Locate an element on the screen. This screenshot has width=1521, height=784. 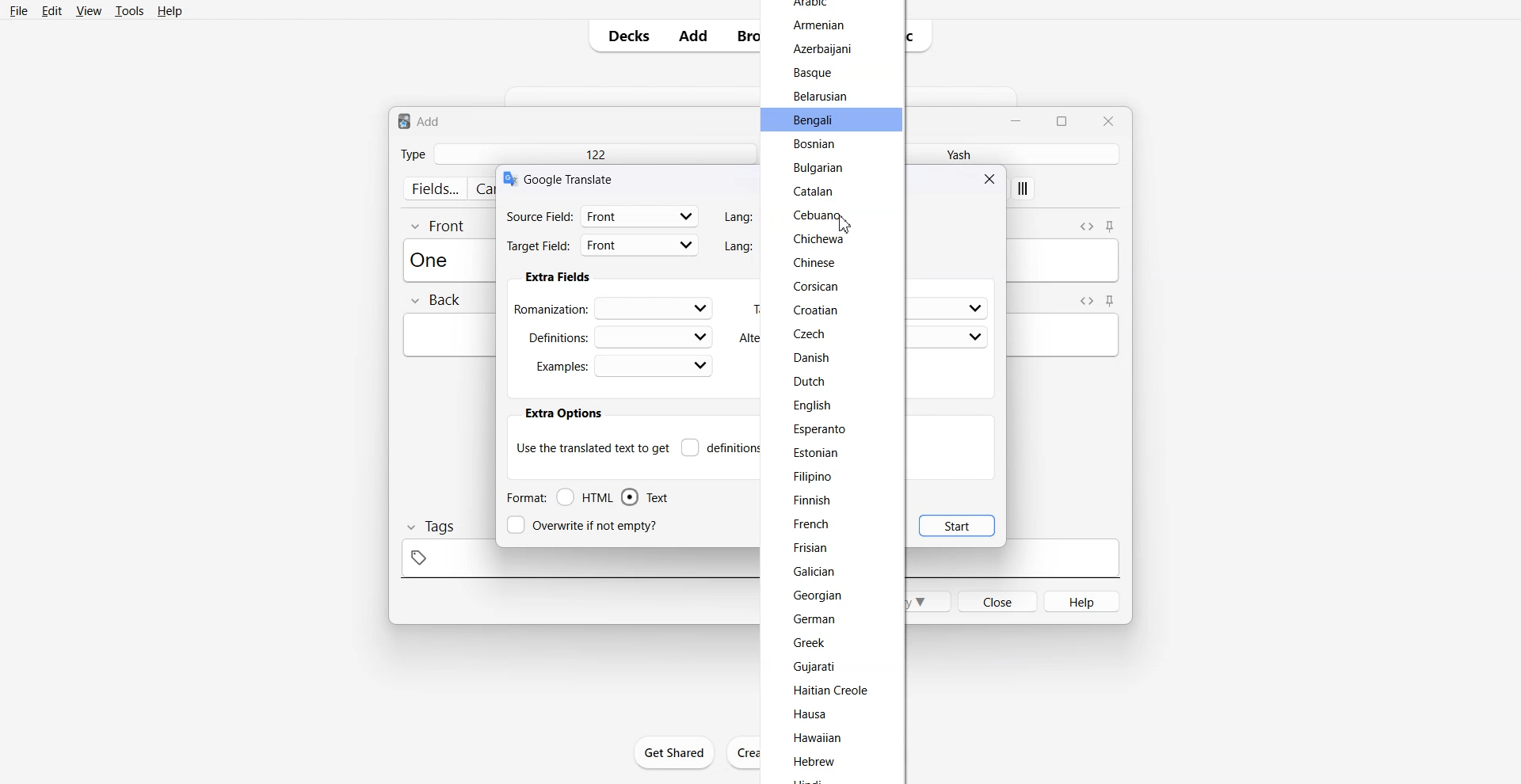
Decks is located at coordinates (623, 36).